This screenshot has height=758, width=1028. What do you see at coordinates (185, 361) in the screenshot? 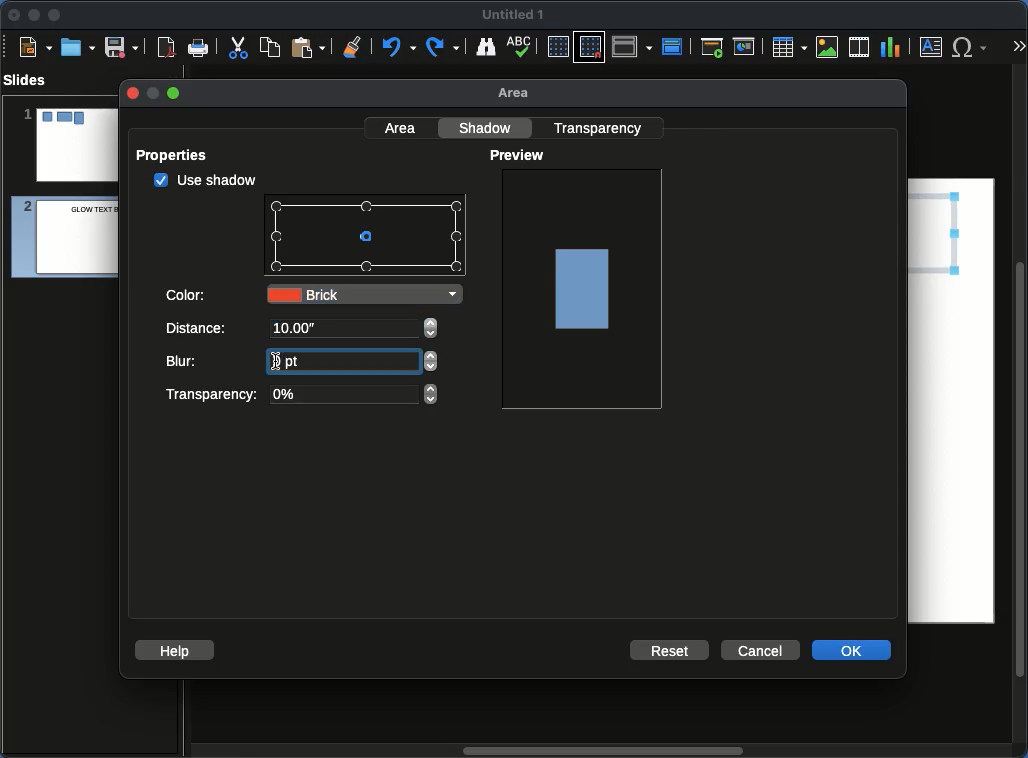
I see `Blur` at bounding box center [185, 361].